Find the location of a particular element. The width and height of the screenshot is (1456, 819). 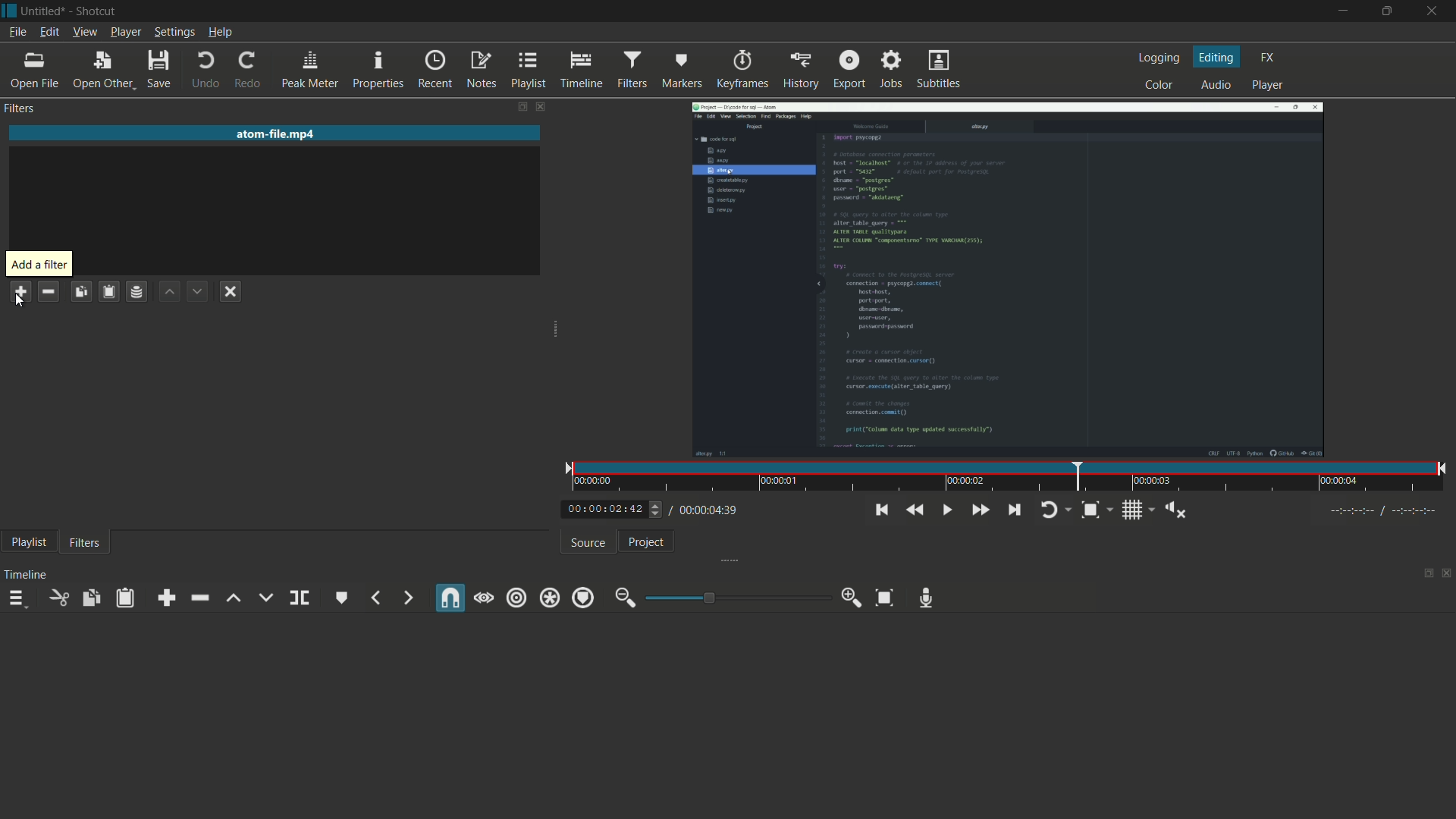

open other is located at coordinates (102, 72).